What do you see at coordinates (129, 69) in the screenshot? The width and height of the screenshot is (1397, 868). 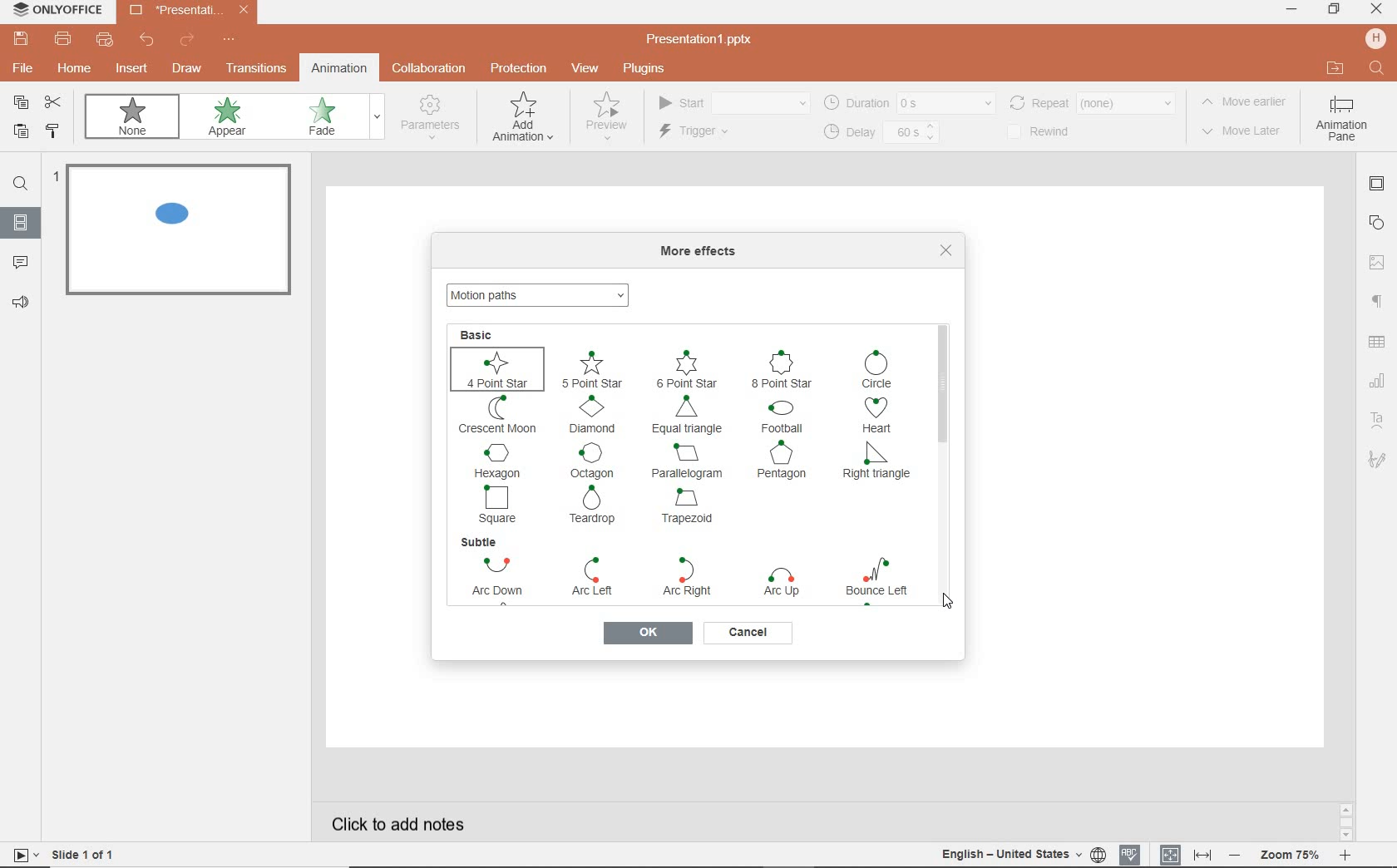 I see `insert` at bounding box center [129, 69].